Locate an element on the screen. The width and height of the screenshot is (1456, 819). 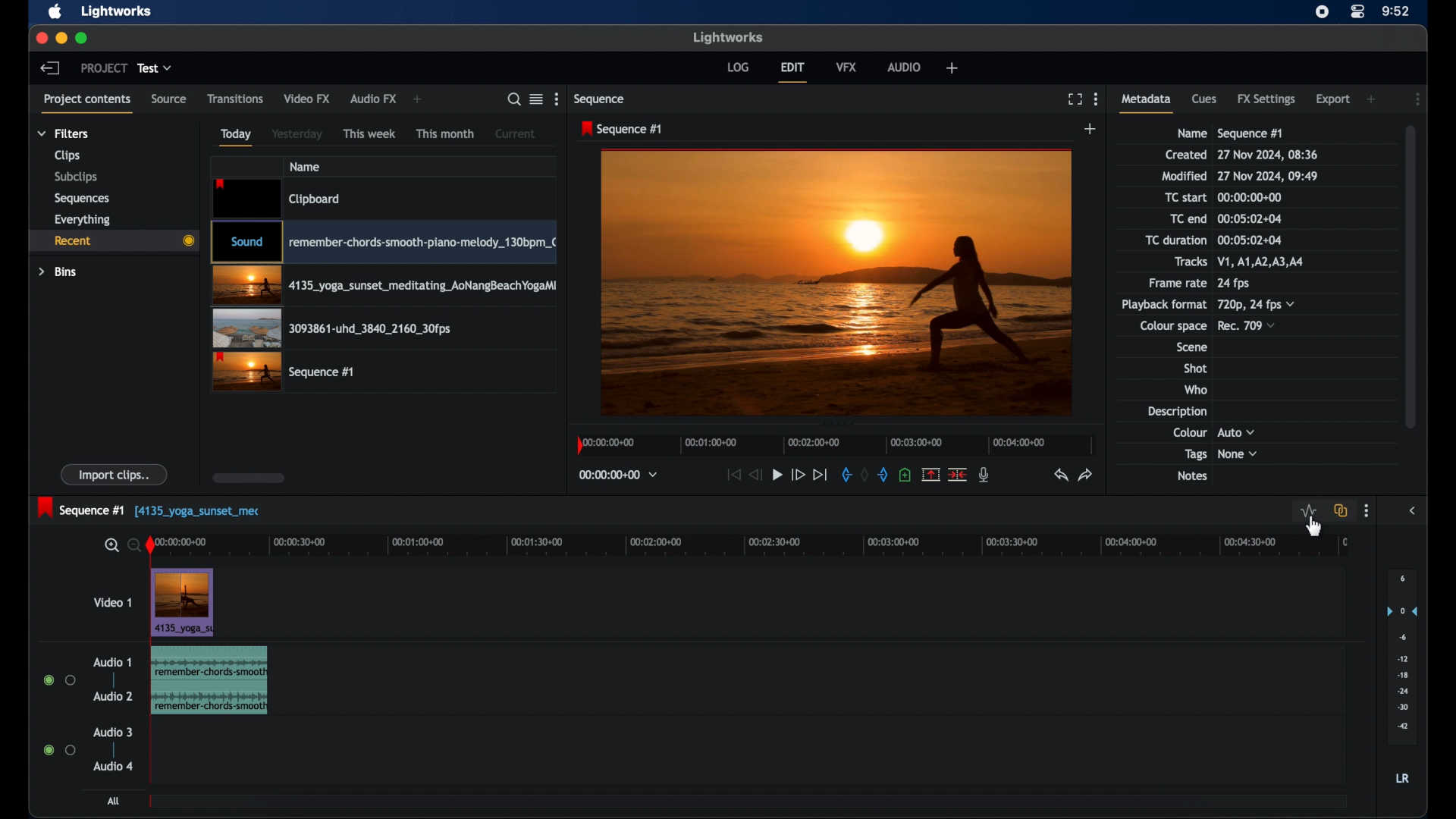
sequence 1 is located at coordinates (1250, 133).